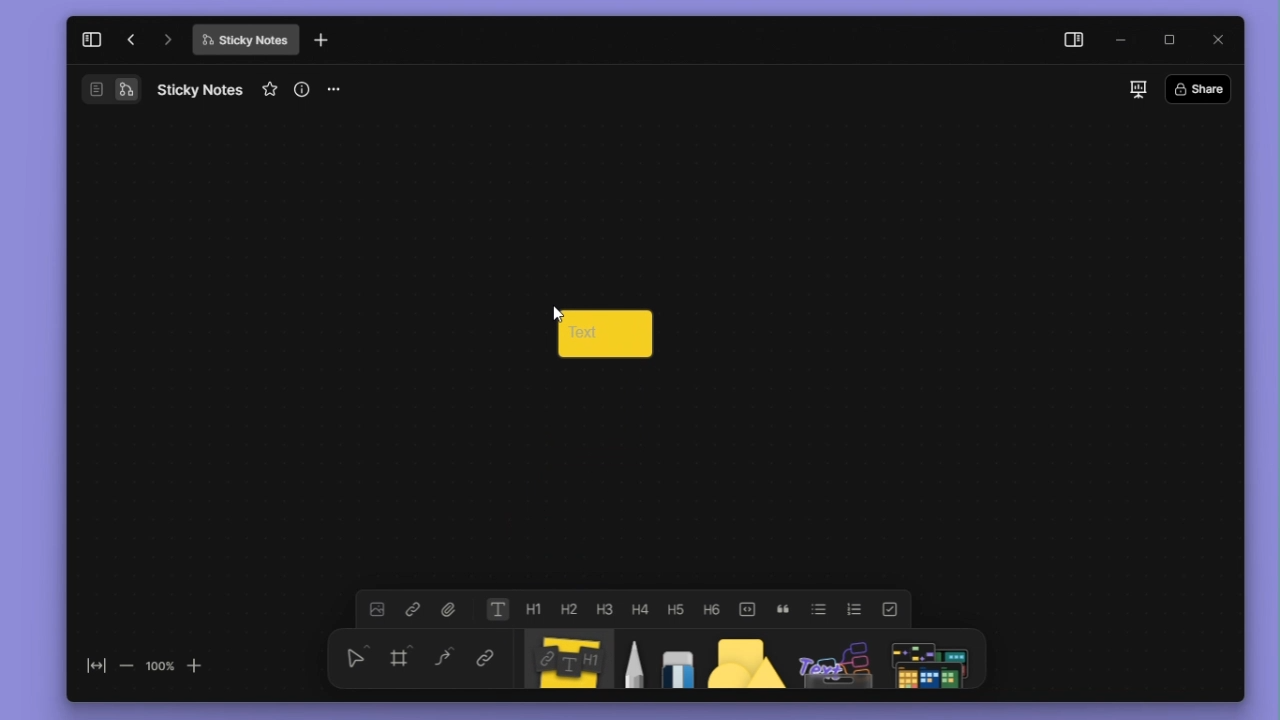 Image resolution: width=1280 pixels, height=720 pixels. What do you see at coordinates (338, 88) in the screenshot?
I see `more` at bounding box center [338, 88].